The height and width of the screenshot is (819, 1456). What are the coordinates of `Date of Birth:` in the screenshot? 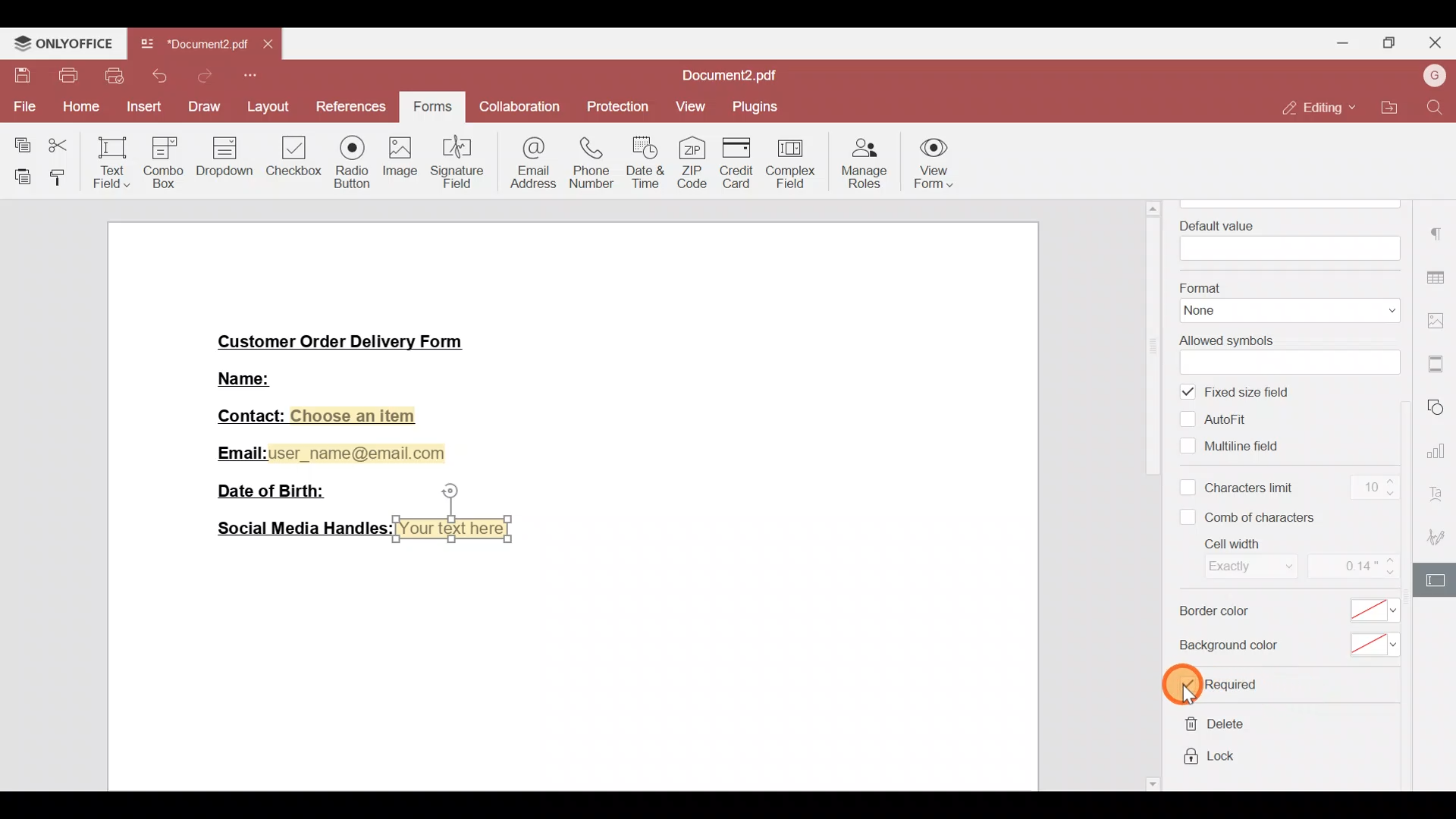 It's located at (278, 490).